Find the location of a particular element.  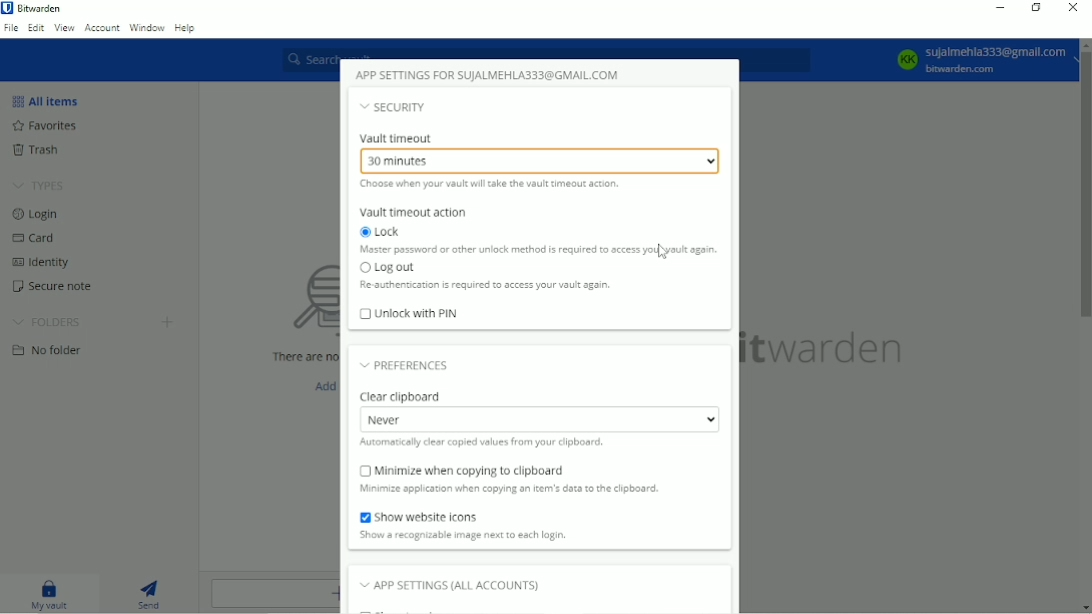

Window is located at coordinates (146, 27).